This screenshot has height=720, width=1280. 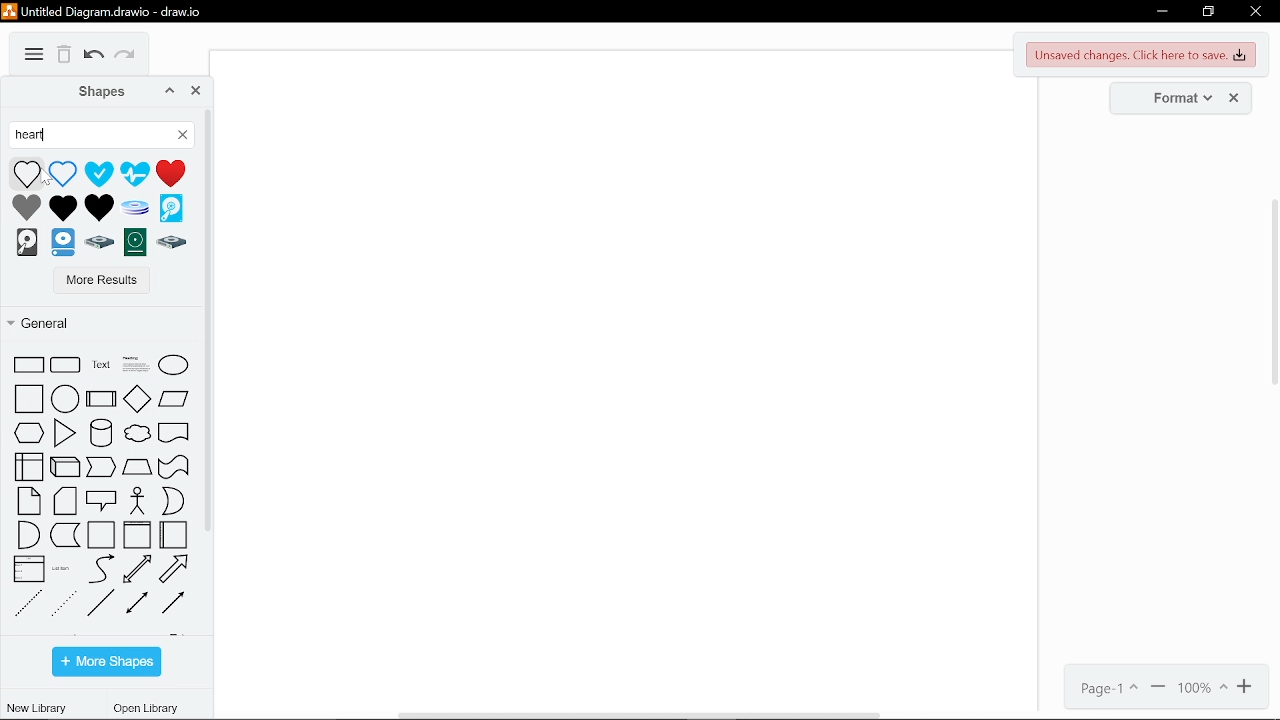 I want to click on horizontal scrollbar, so click(x=642, y=715).